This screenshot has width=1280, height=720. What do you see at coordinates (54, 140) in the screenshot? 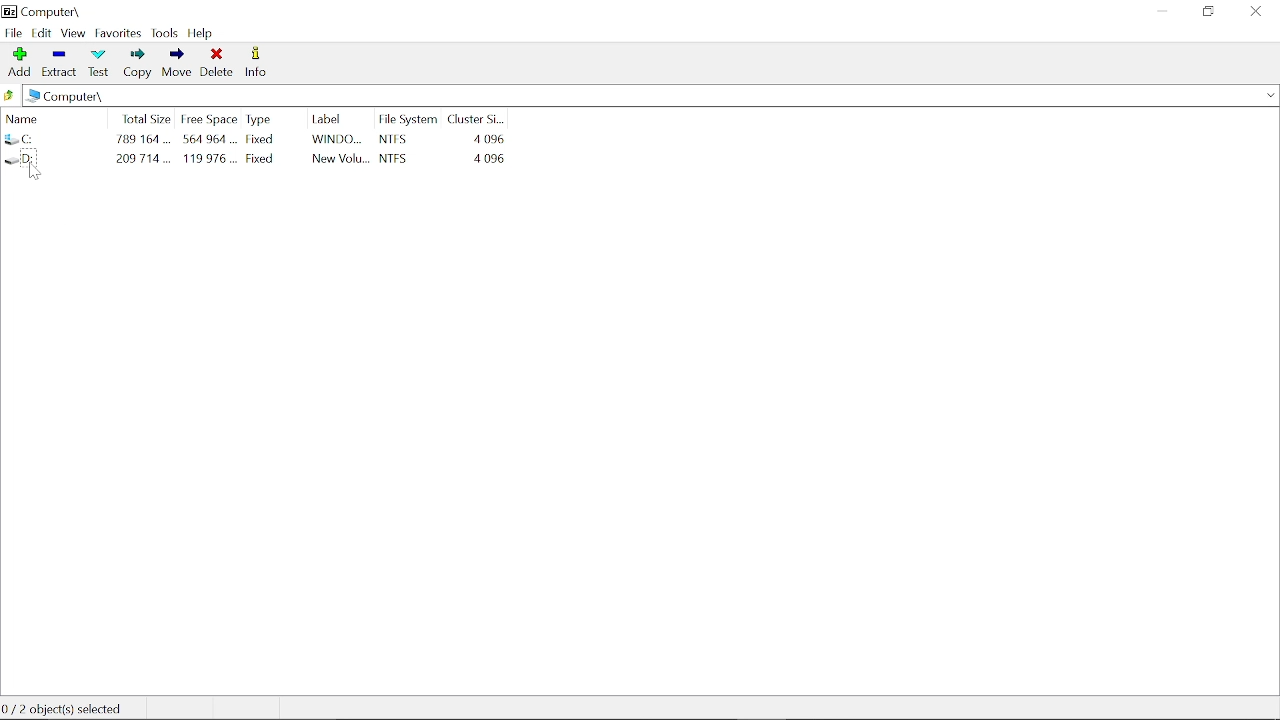
I see `C :` at bounding box center [54, 140].